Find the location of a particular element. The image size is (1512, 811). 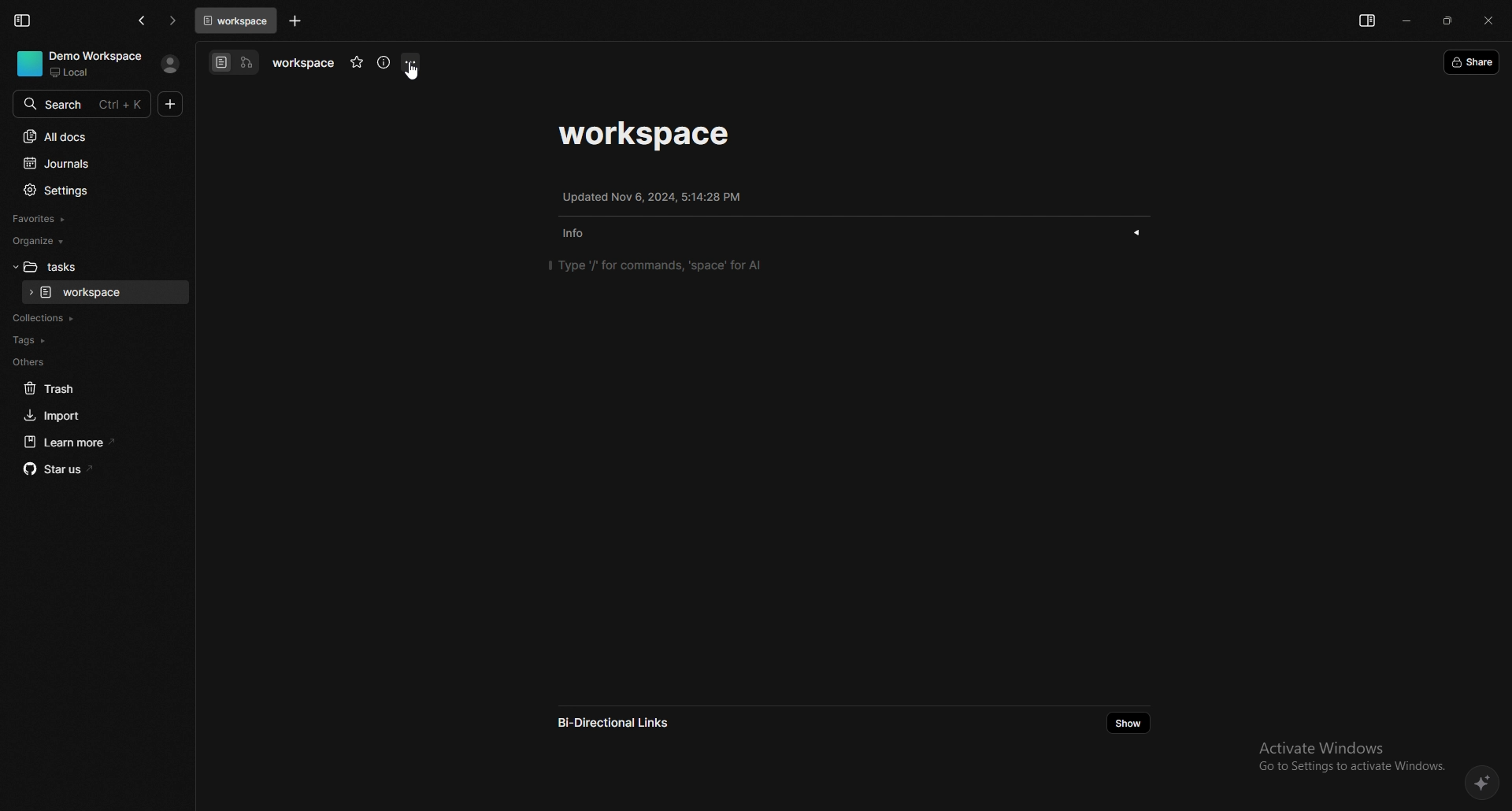

star us is located at coordinates (95, 469).